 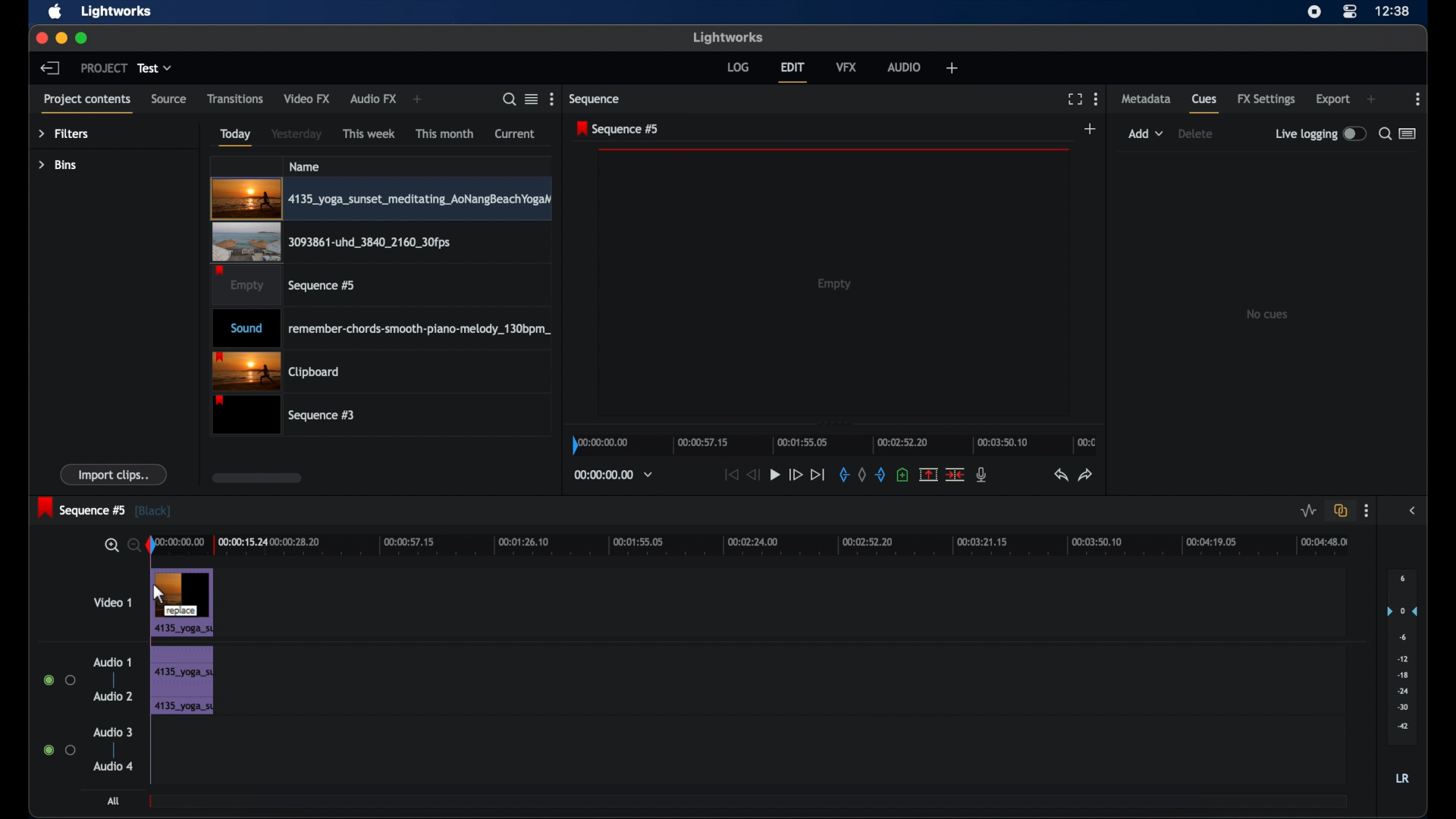 I want to click on toggle audio level editing, so click(x=1309, y=511).